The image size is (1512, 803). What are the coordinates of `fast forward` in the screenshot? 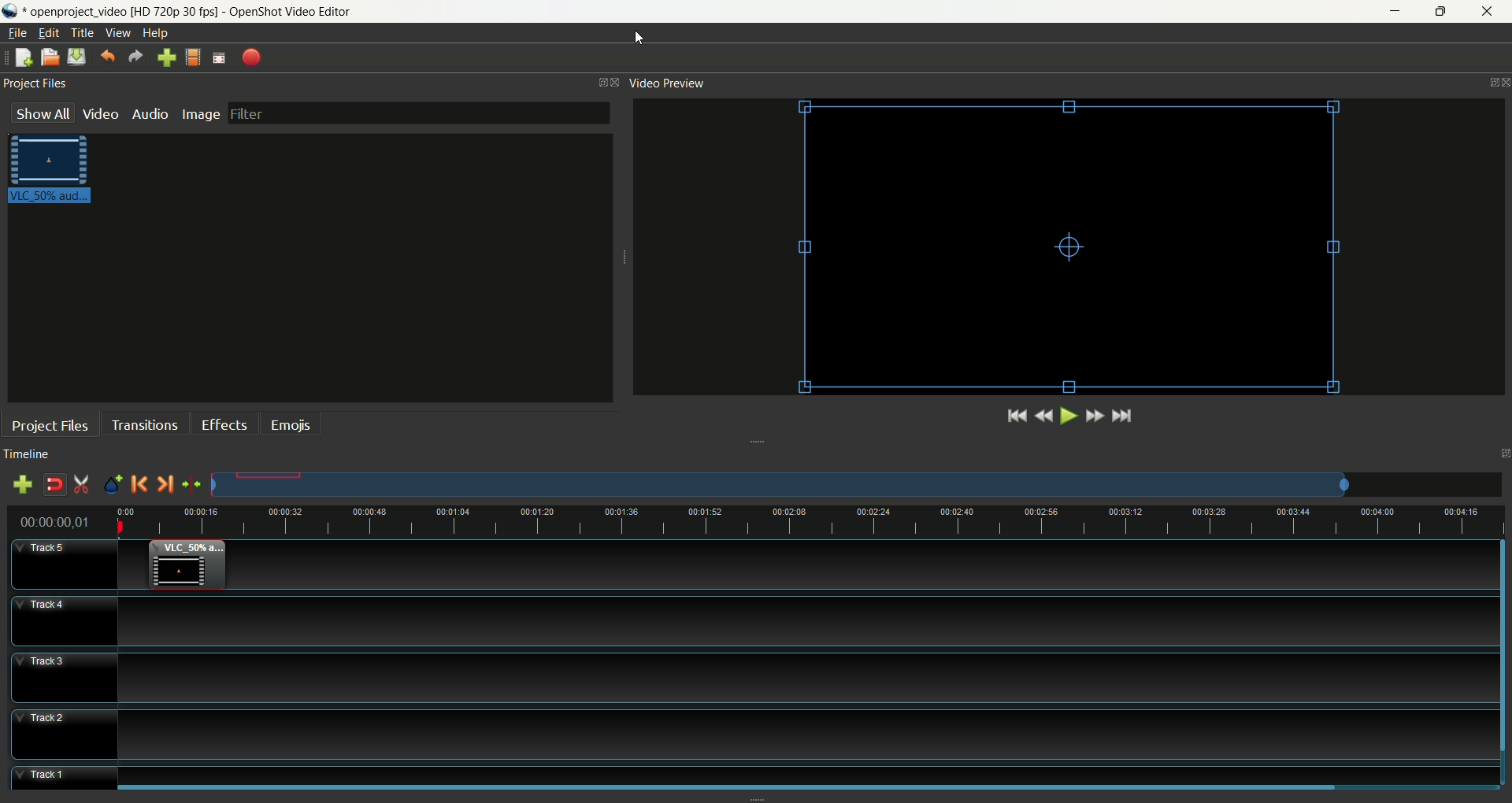 It's located at (1095, 420).